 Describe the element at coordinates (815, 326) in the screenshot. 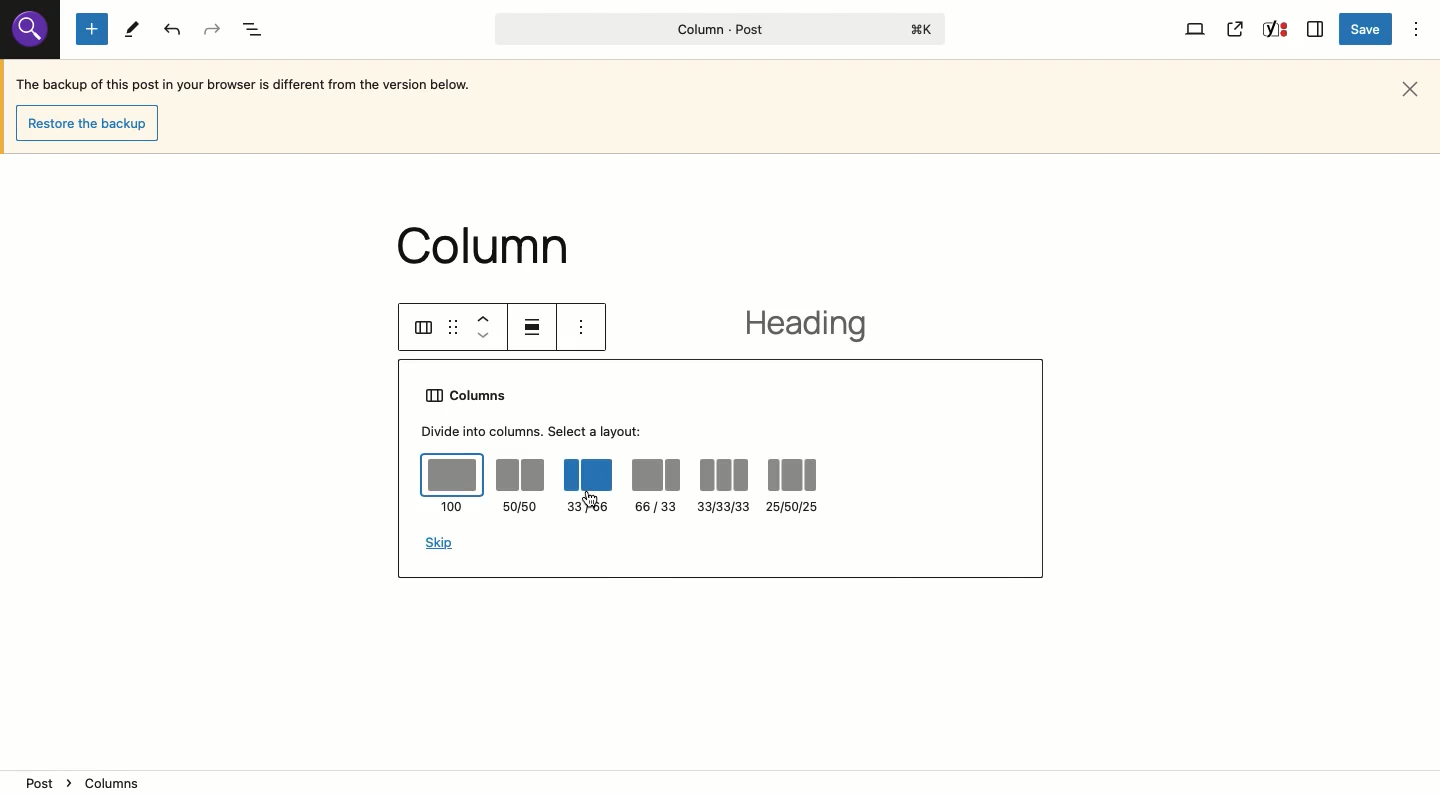

I see `Heading` at that location.